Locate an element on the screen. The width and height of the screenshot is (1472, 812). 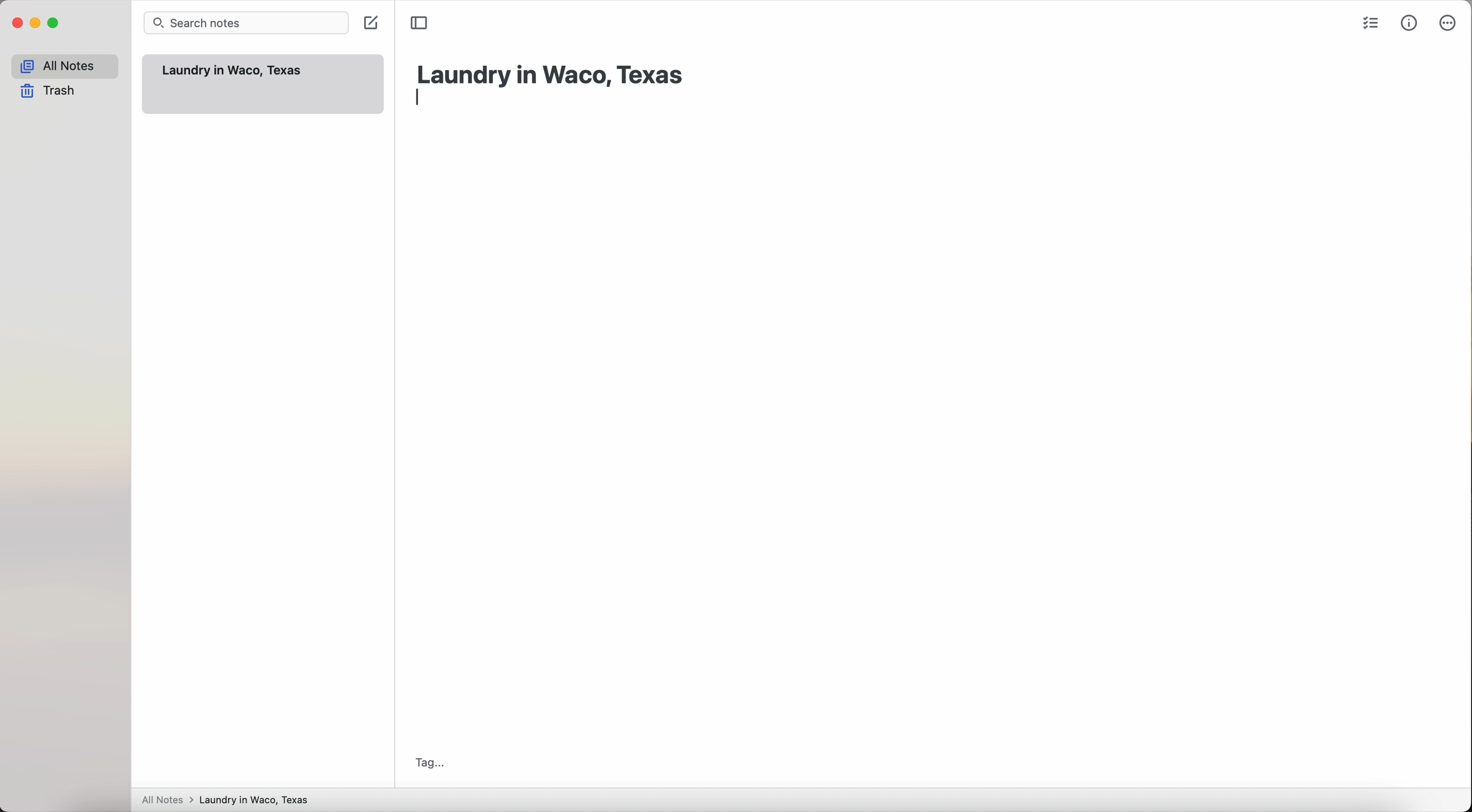
laundry in Waco, Texas is located at coordinates (552, 70).